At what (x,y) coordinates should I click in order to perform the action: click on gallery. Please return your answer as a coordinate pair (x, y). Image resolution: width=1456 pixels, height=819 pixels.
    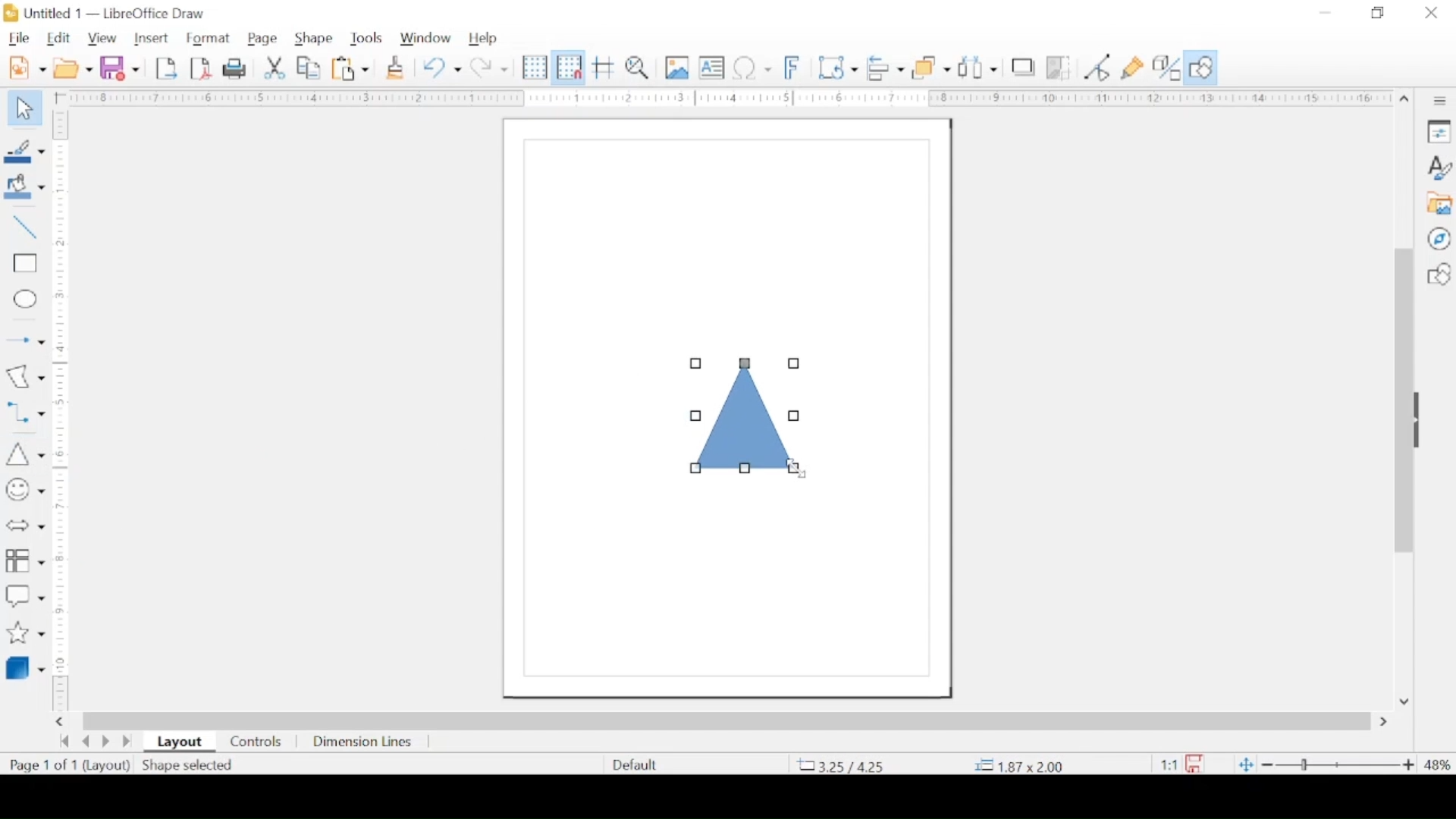
    Looking at the image, I should click on (1441, 204).